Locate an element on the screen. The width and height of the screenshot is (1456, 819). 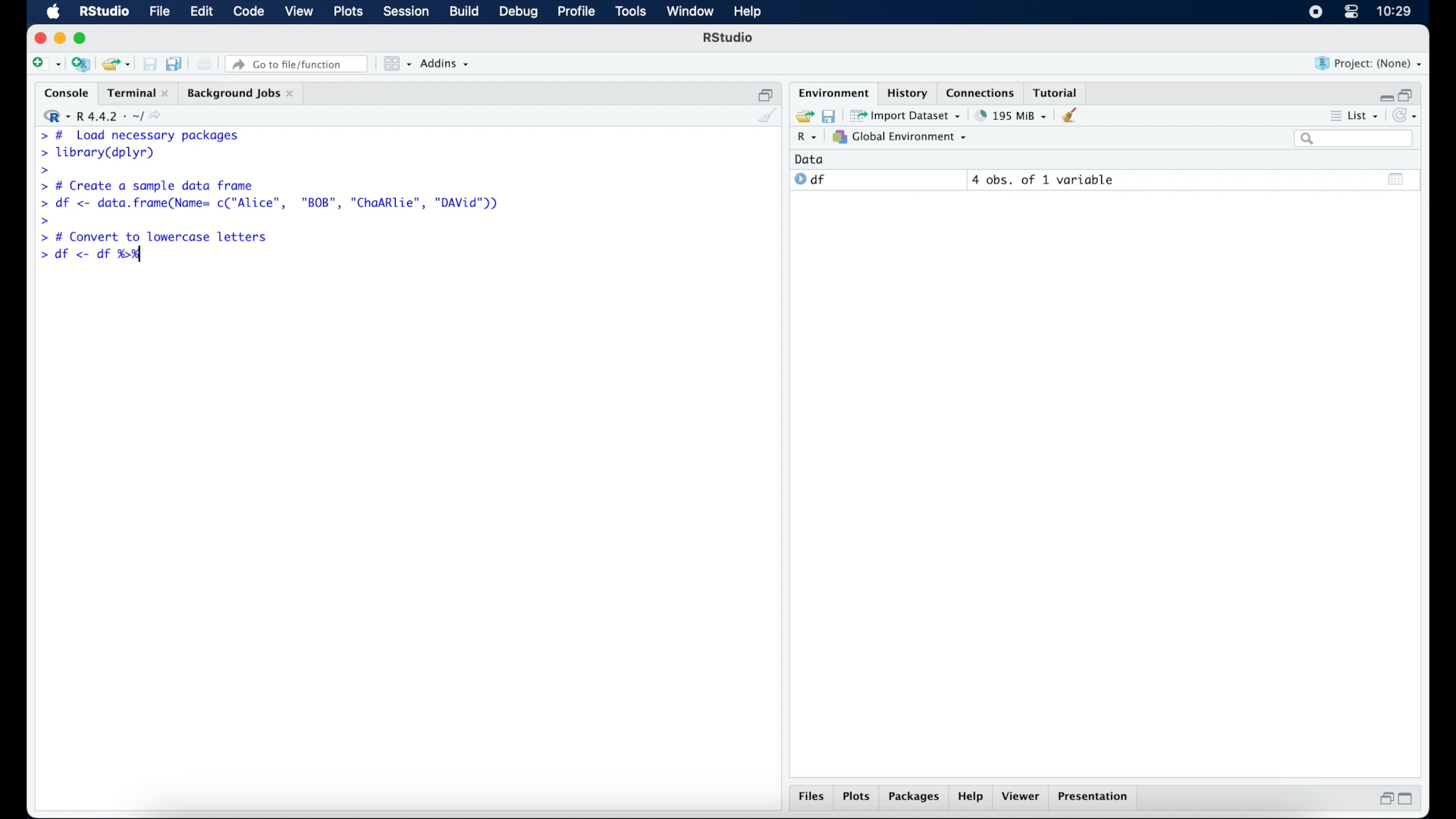
project (none) is located at coordinates (1370, 64).